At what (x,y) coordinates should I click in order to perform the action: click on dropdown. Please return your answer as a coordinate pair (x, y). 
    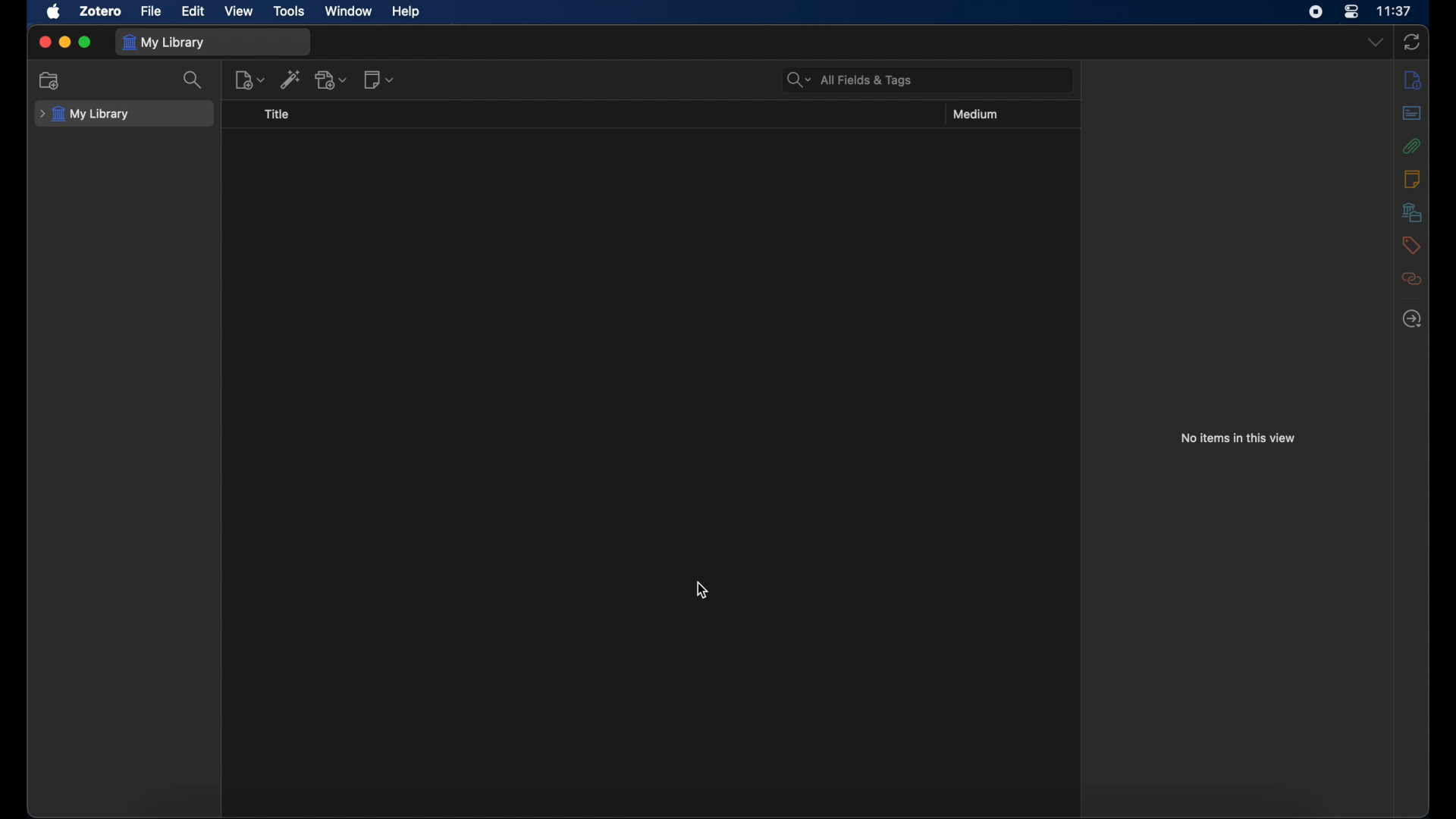
    Looking at the image, I should click on (1374, 41).